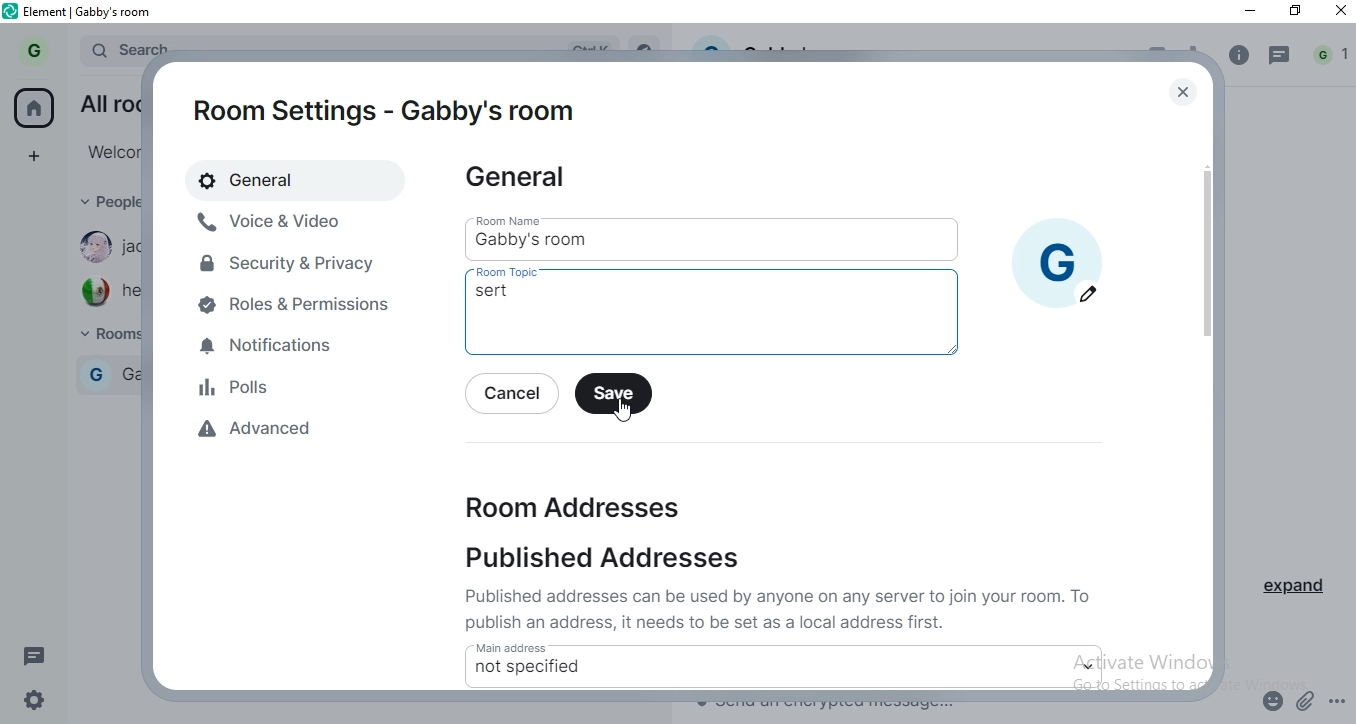 The width and height of the screenshot is (1356, 724). Describe the element at coordinates (93, 11) in the screenshot. I see `element` at that location.